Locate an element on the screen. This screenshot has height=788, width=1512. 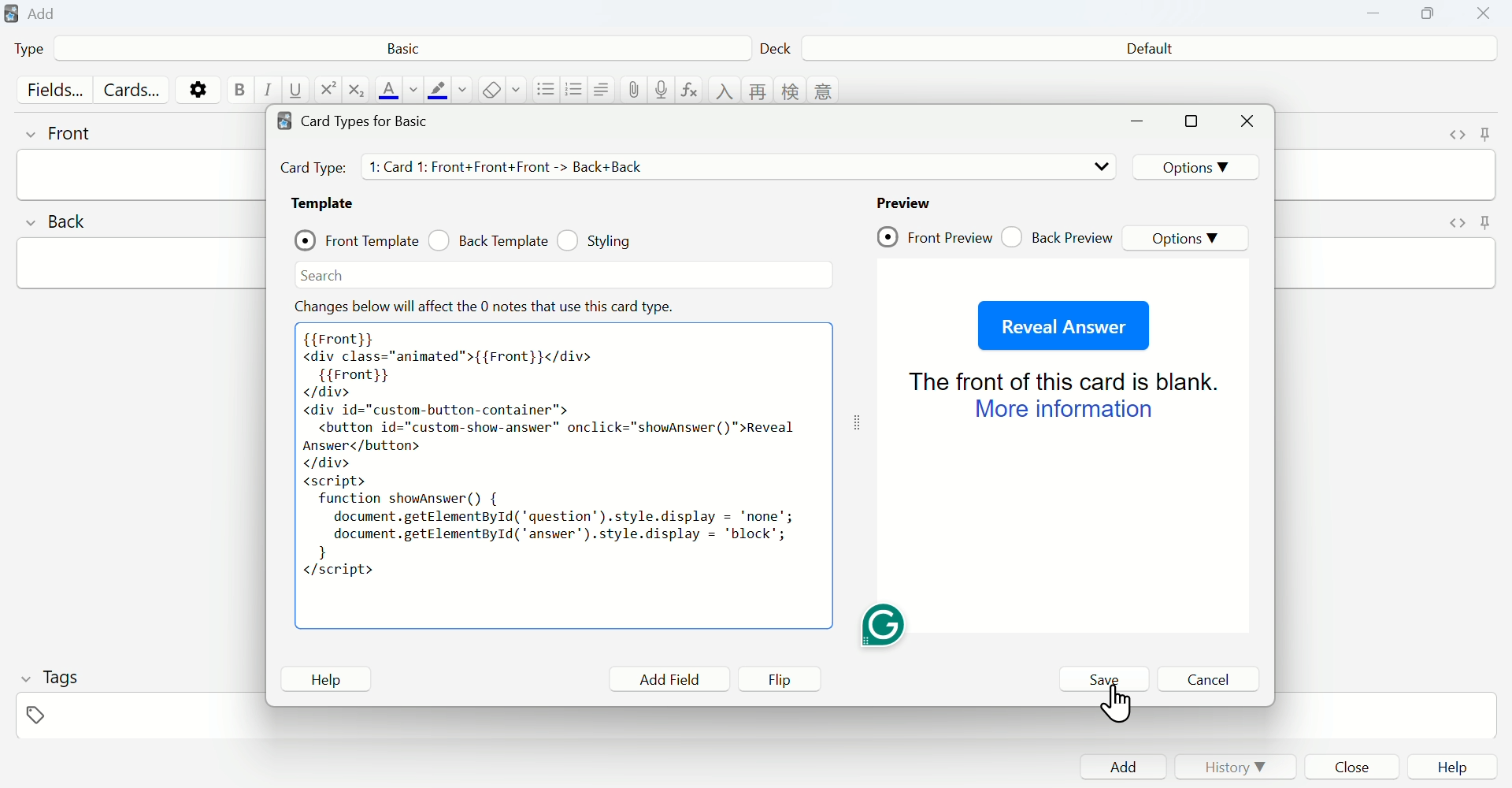
Card Types details is located at coordinates (478, 166).